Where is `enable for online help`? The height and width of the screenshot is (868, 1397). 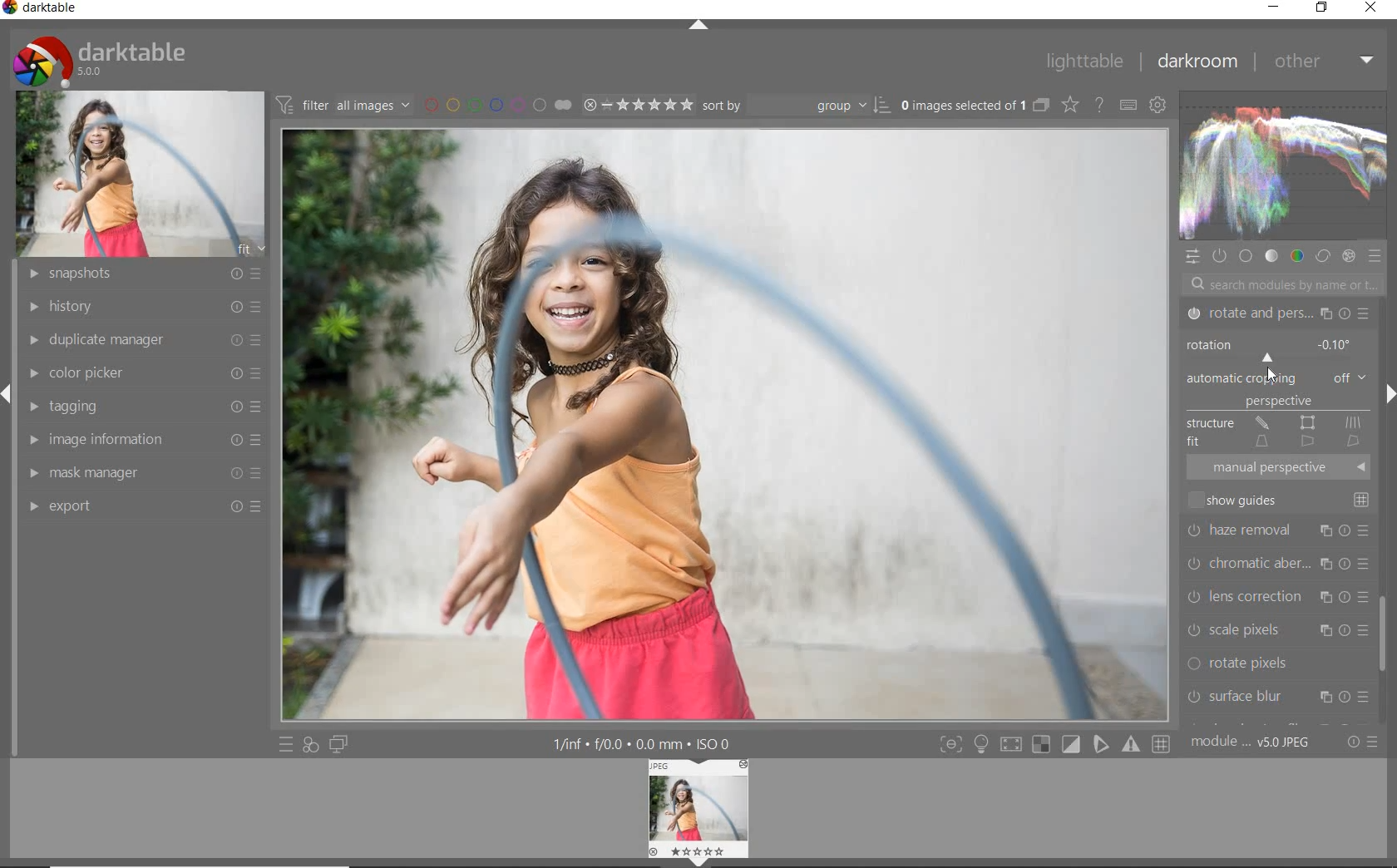 enable for online help is located at coordinates (1099, 105).